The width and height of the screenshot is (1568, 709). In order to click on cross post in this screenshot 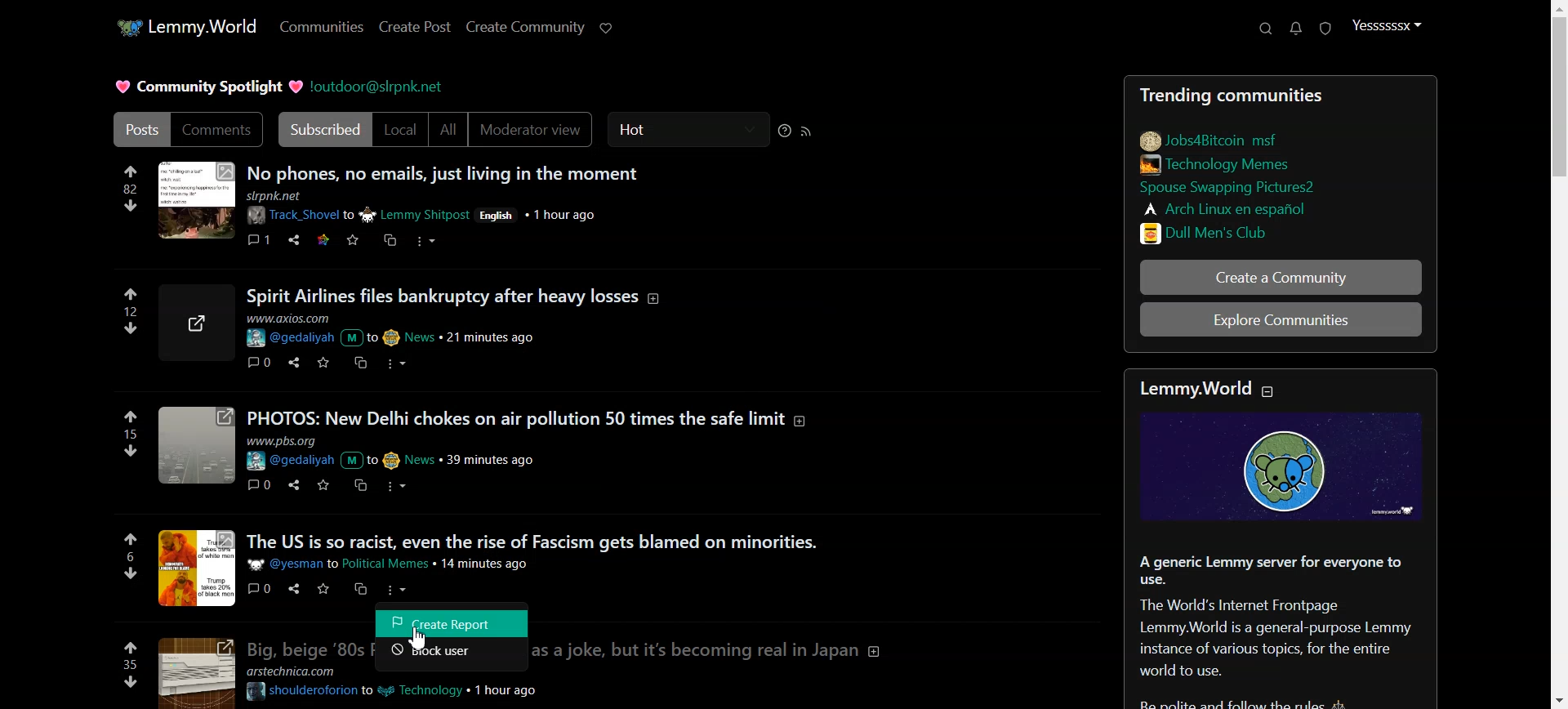, I will do `click(389, 239)`.